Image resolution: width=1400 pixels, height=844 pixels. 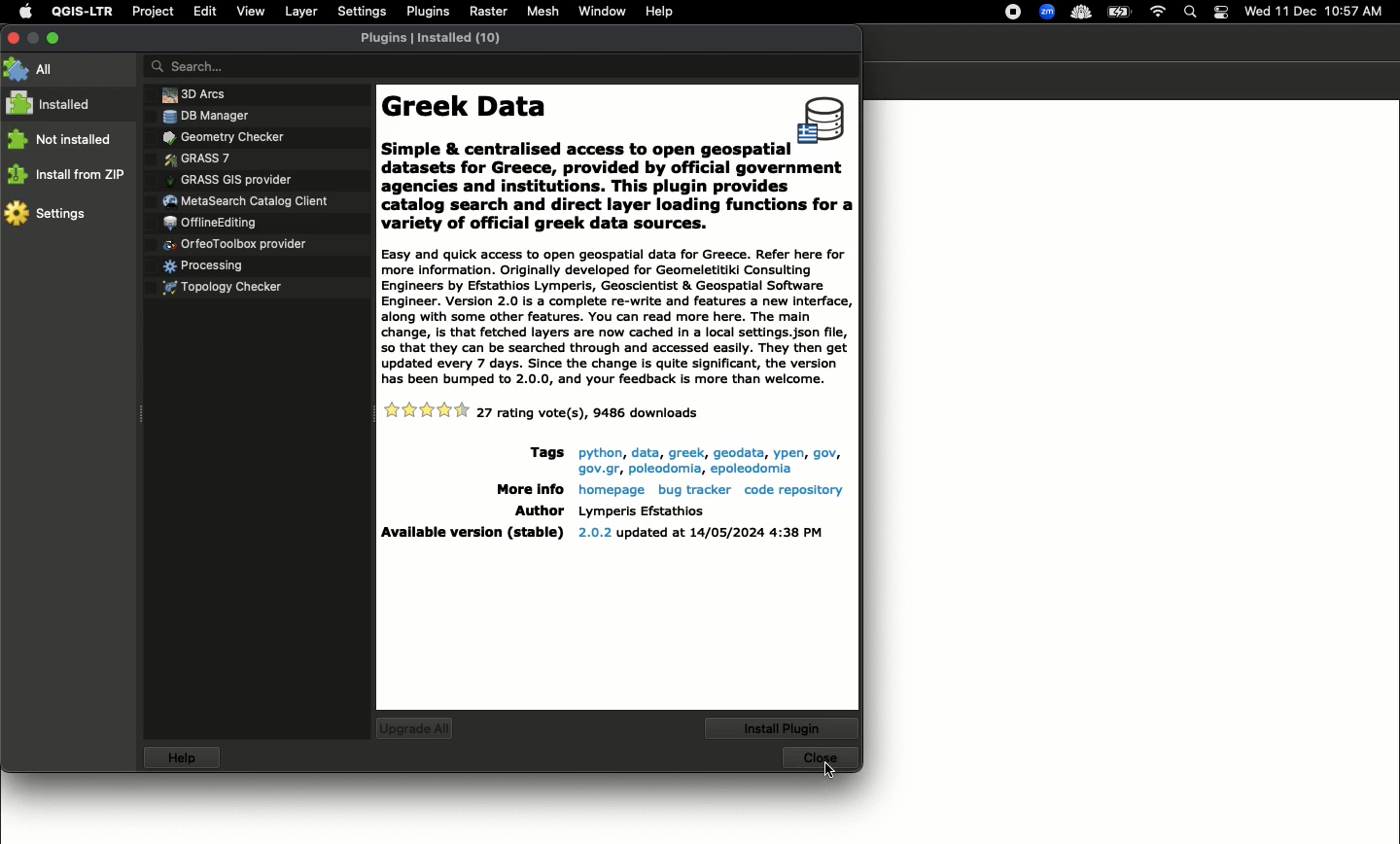 I want to click on 3D Arcs, so click(x=189, y=94).